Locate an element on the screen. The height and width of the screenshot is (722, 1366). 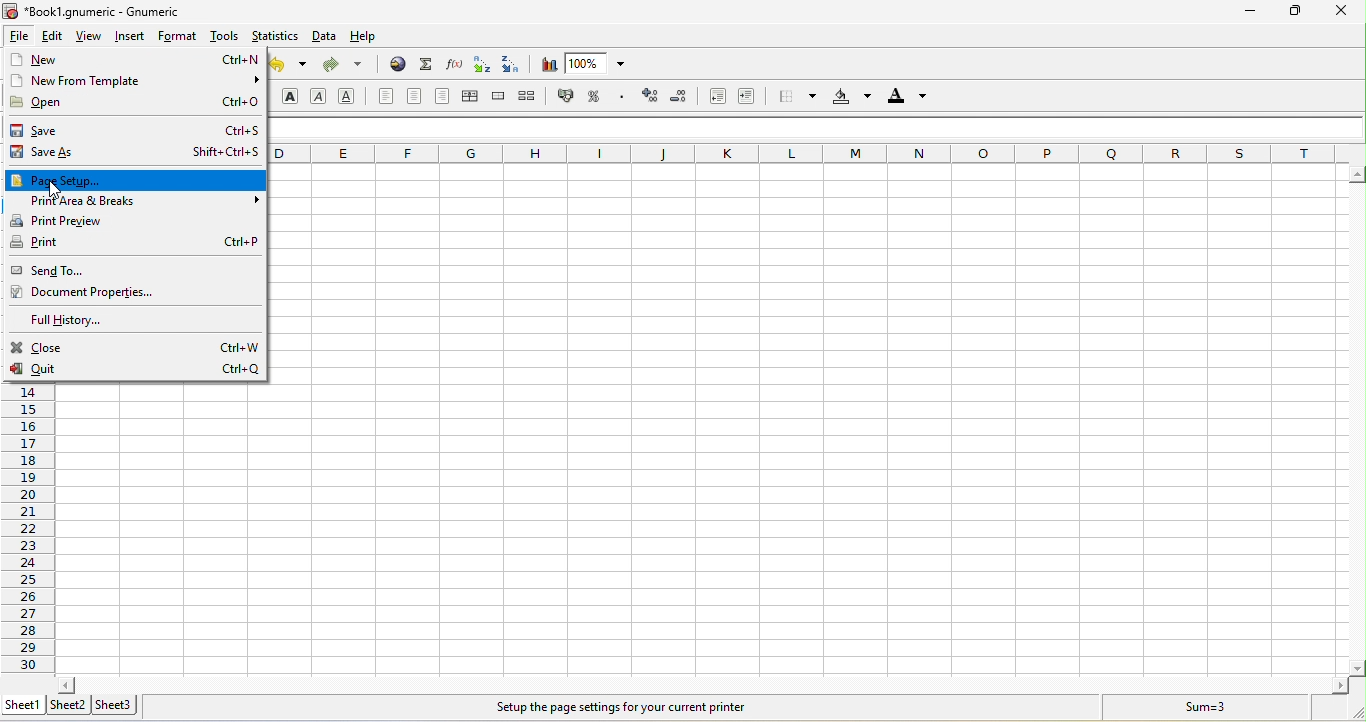
chart is located at coordinates (546, 64).